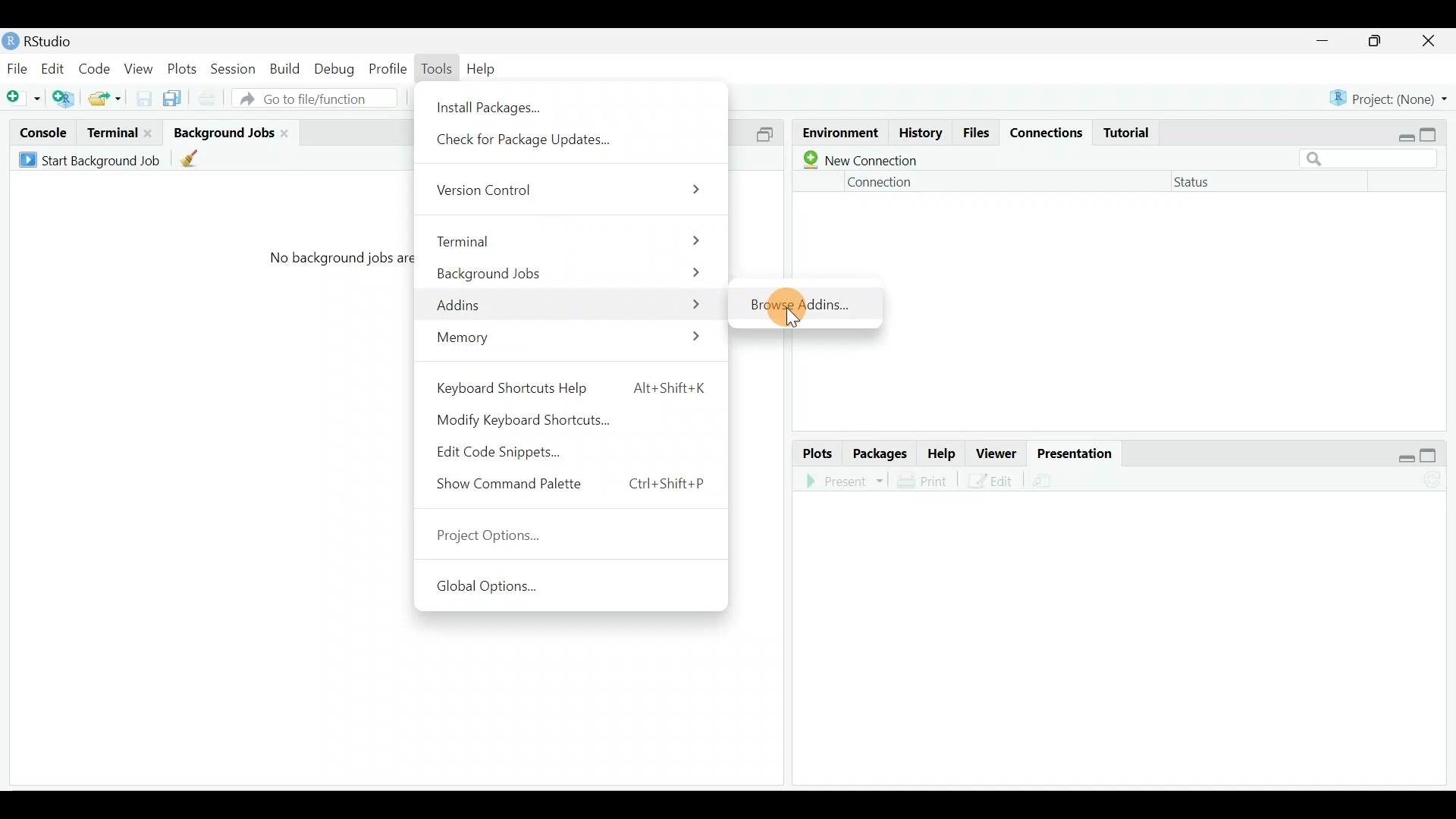 Image resolution: width=1456 pixels, height=819 pixels. I want to click on Print current file, so click(209, 99).